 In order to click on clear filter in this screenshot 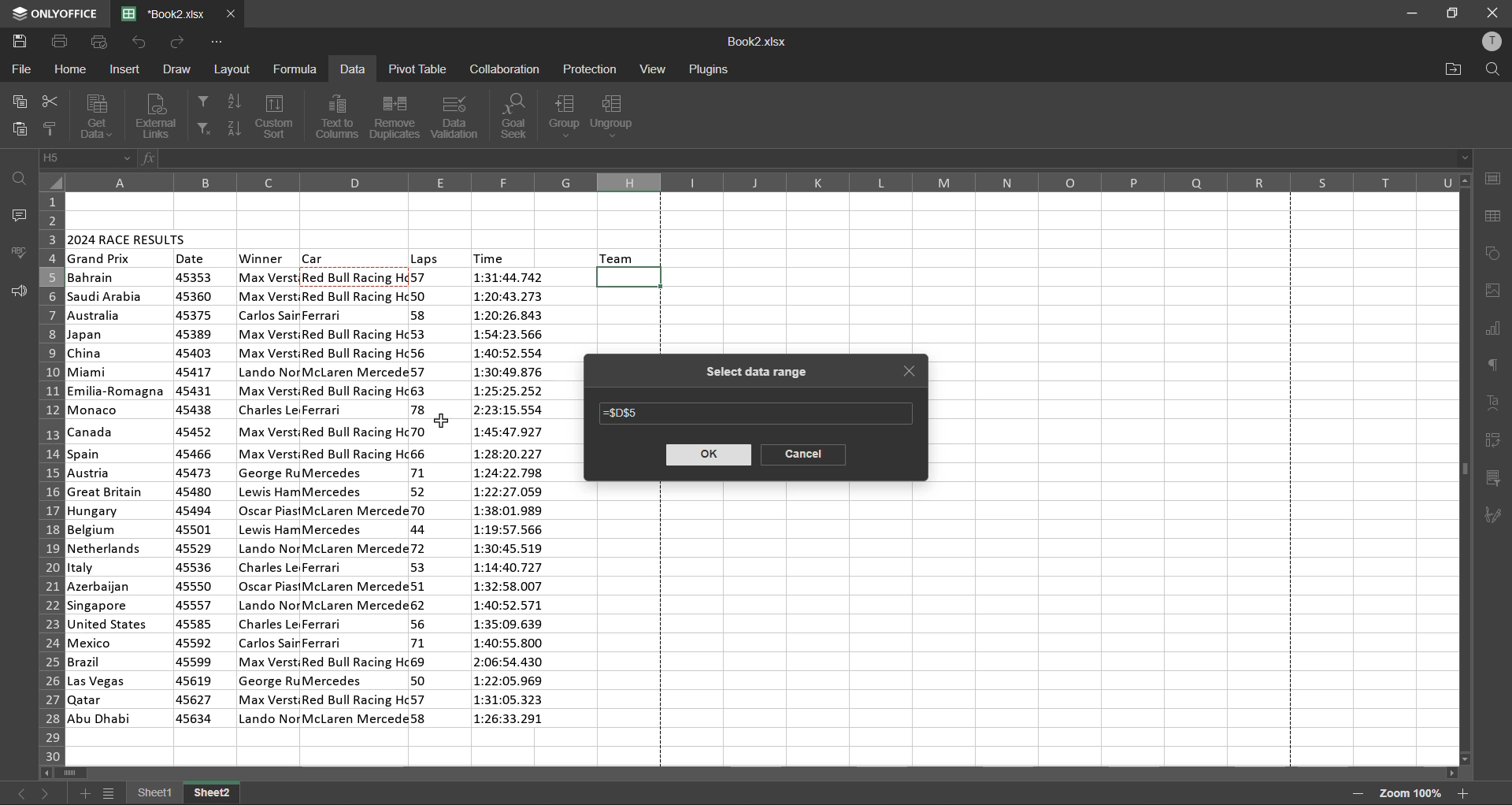, I will do `click(203, 129)`.